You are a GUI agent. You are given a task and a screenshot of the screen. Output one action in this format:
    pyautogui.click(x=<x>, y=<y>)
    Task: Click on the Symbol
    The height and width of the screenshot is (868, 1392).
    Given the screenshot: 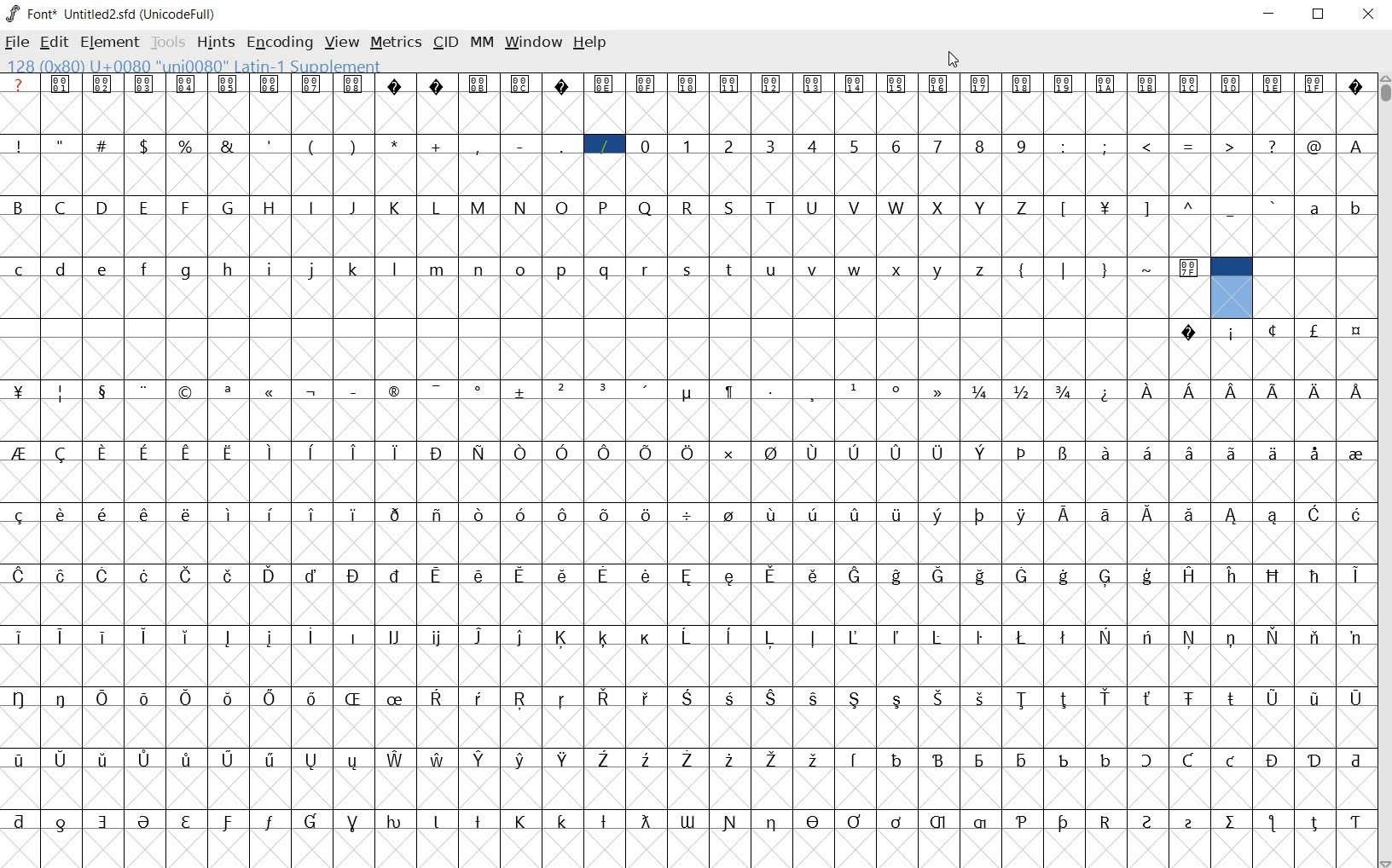 What is the action you would take?
    pyautogui.click(x=899, y=391)
    